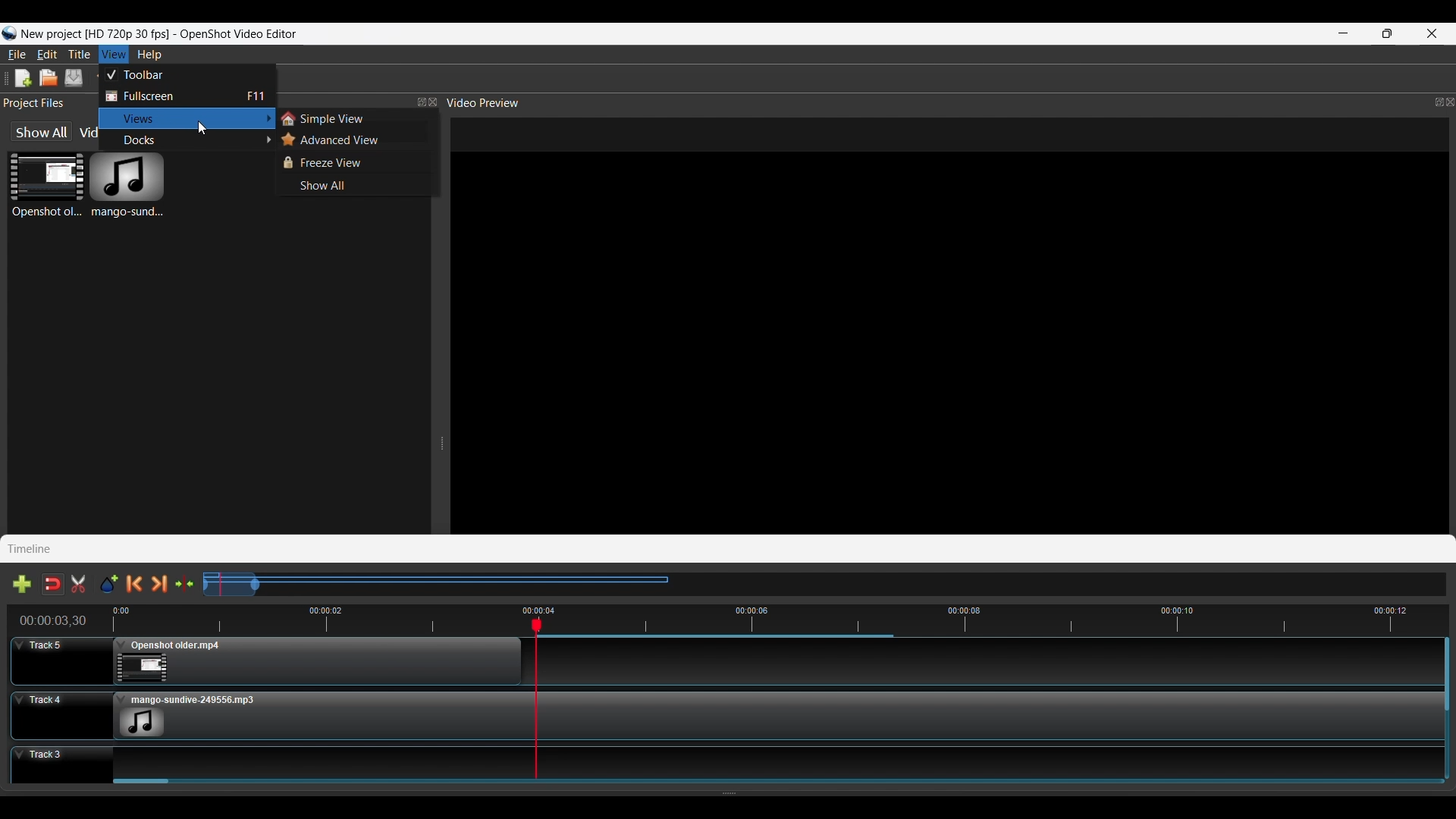 This screenshot has width=1456, height=819. I want to click on Maximize, so click(1429, 99).